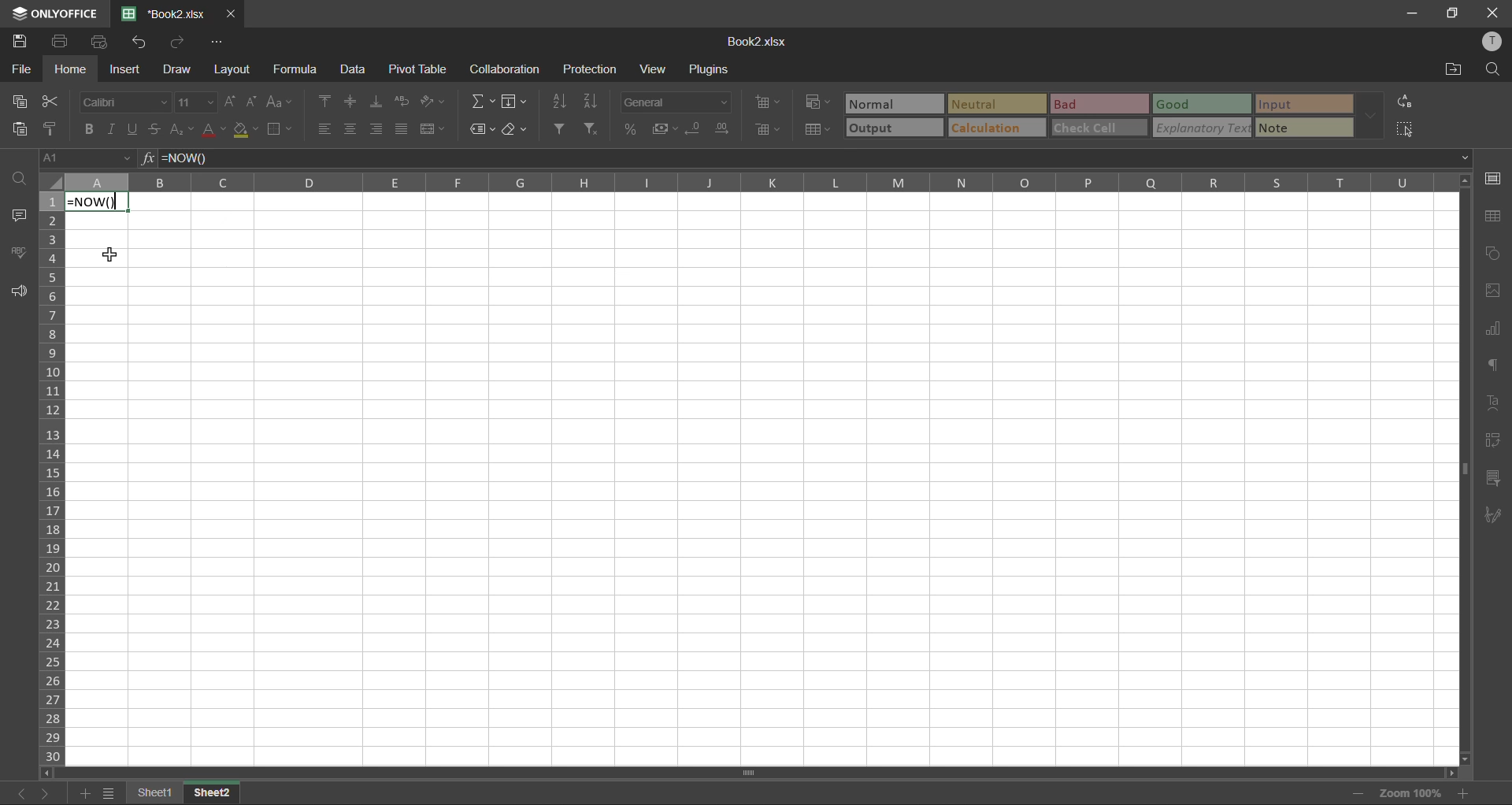 The height and width of the screenshot is (805, 1512). What do you see at coordinates (71, 69) in the screenshot?
I see `home` at bounding box center [71, 69].